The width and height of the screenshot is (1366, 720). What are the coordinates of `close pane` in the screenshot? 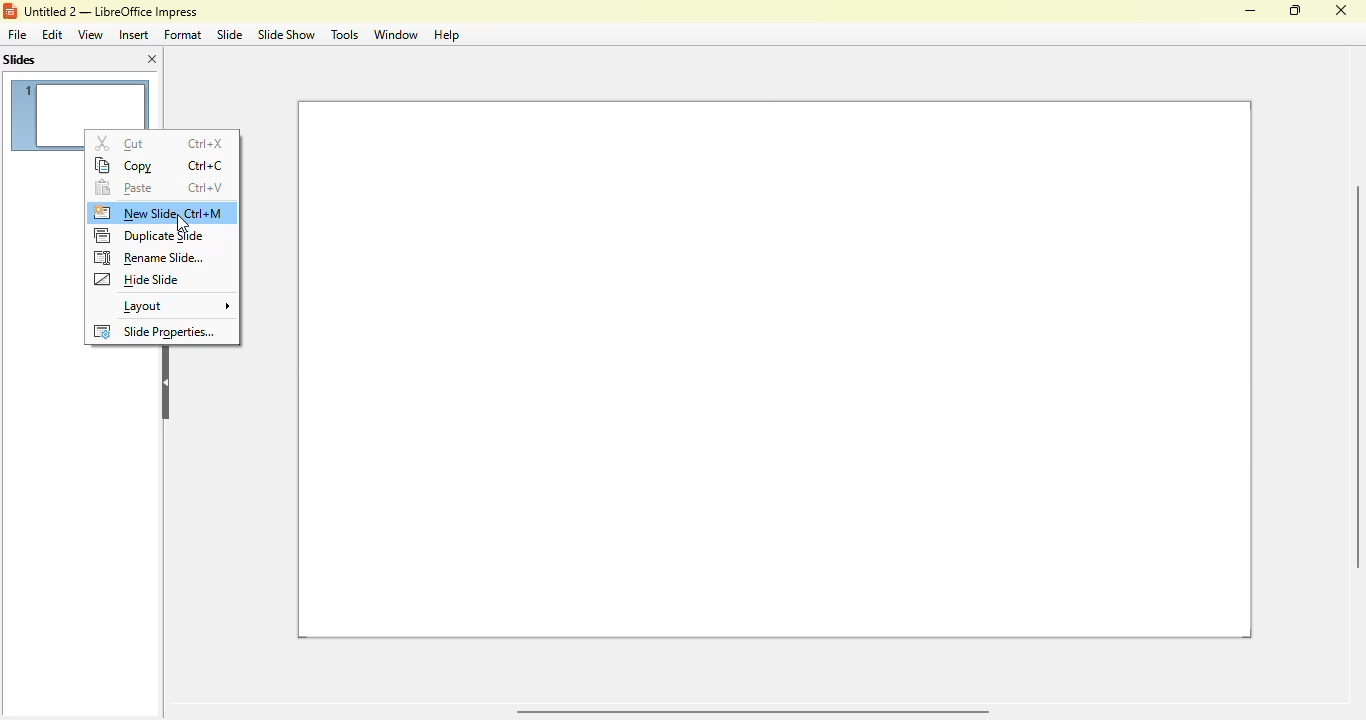 It's located at (152, 59).